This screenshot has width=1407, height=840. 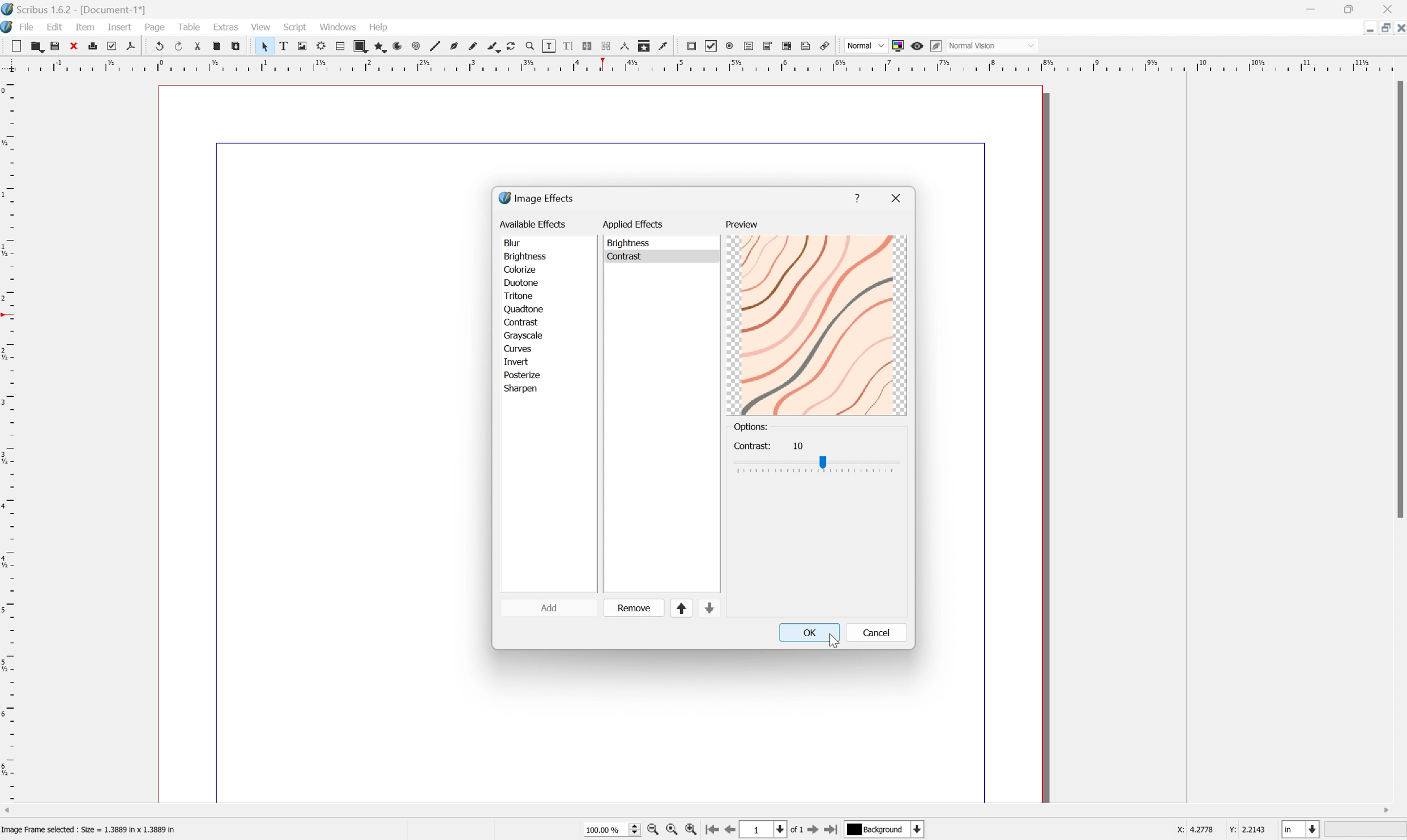 I want to click on Table, so click(x=340, y=46).